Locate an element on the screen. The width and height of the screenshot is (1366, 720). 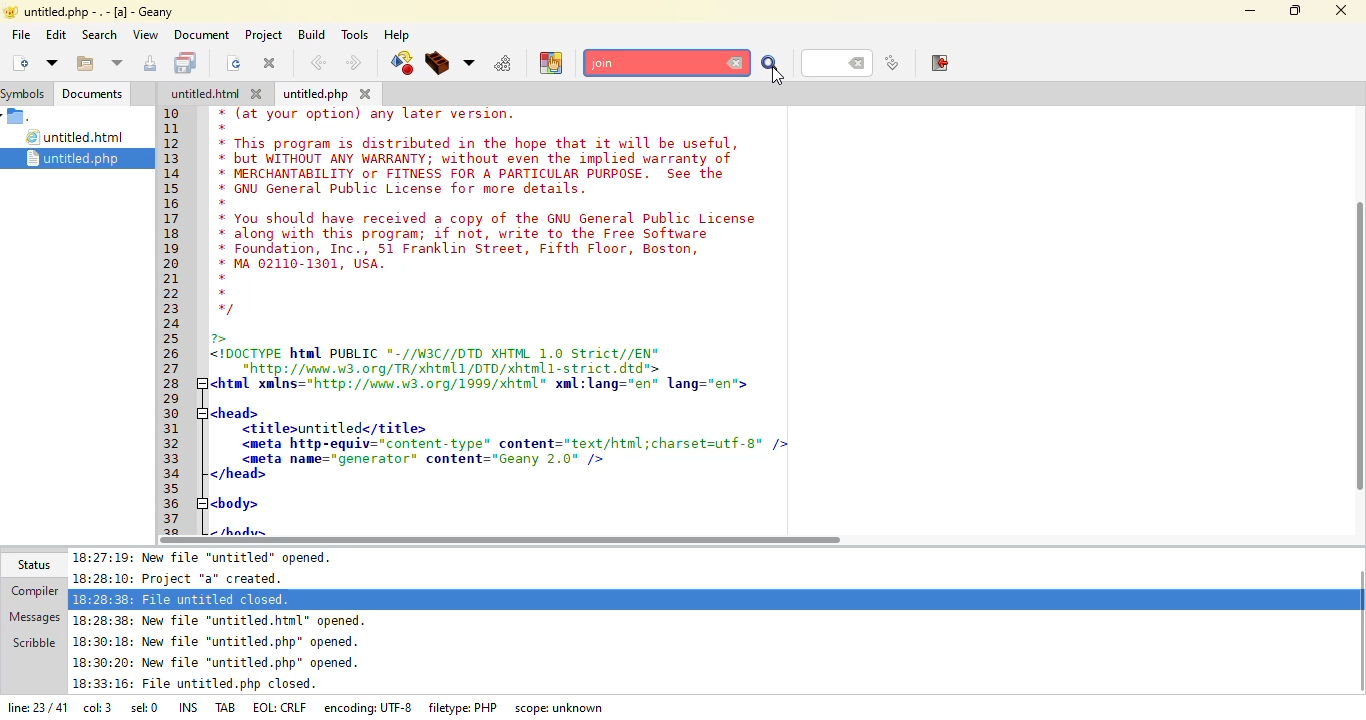
back is located at coordinates (318, 63).